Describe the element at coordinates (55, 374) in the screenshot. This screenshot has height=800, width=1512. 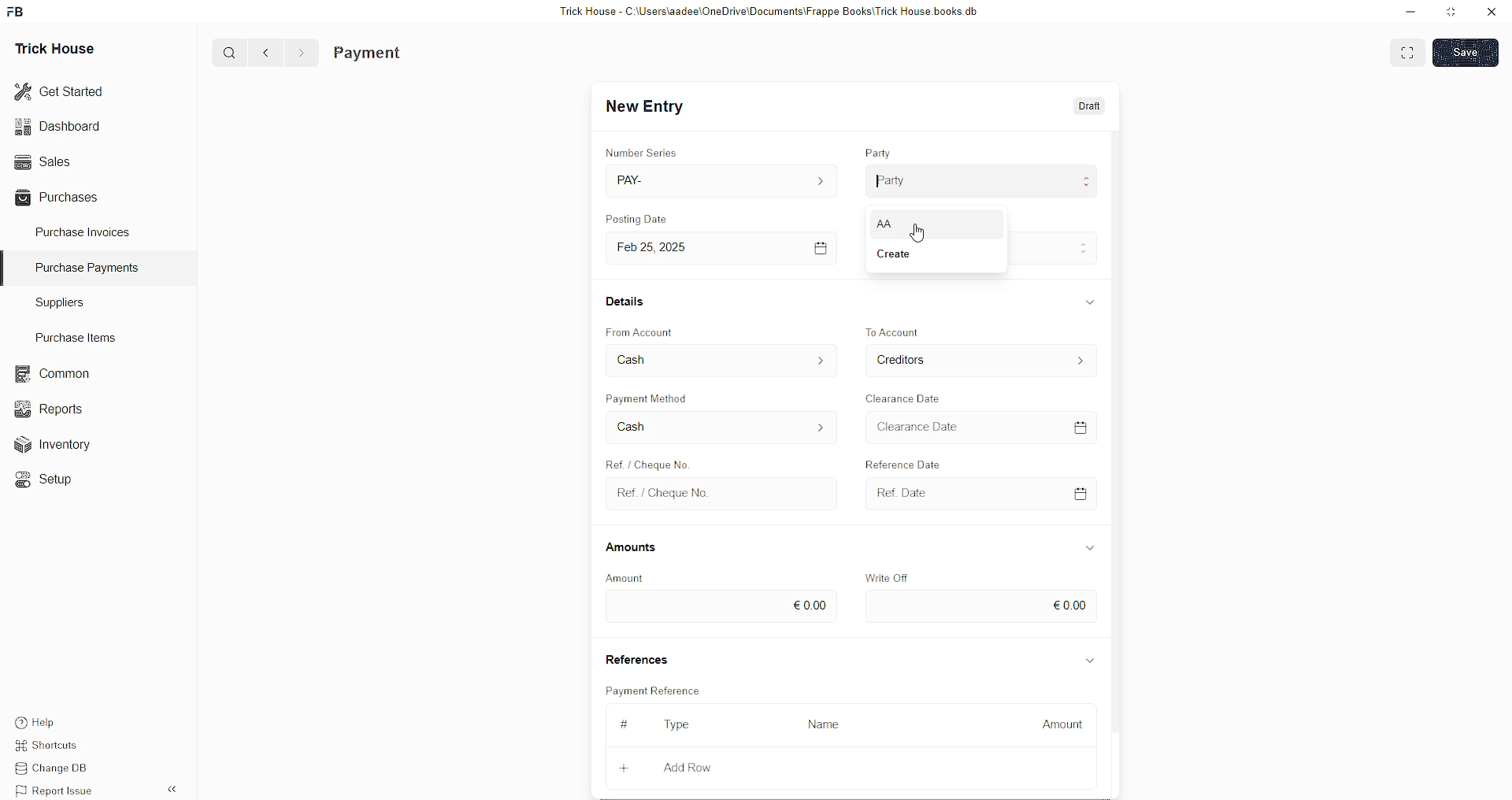
I see `common` at that location.